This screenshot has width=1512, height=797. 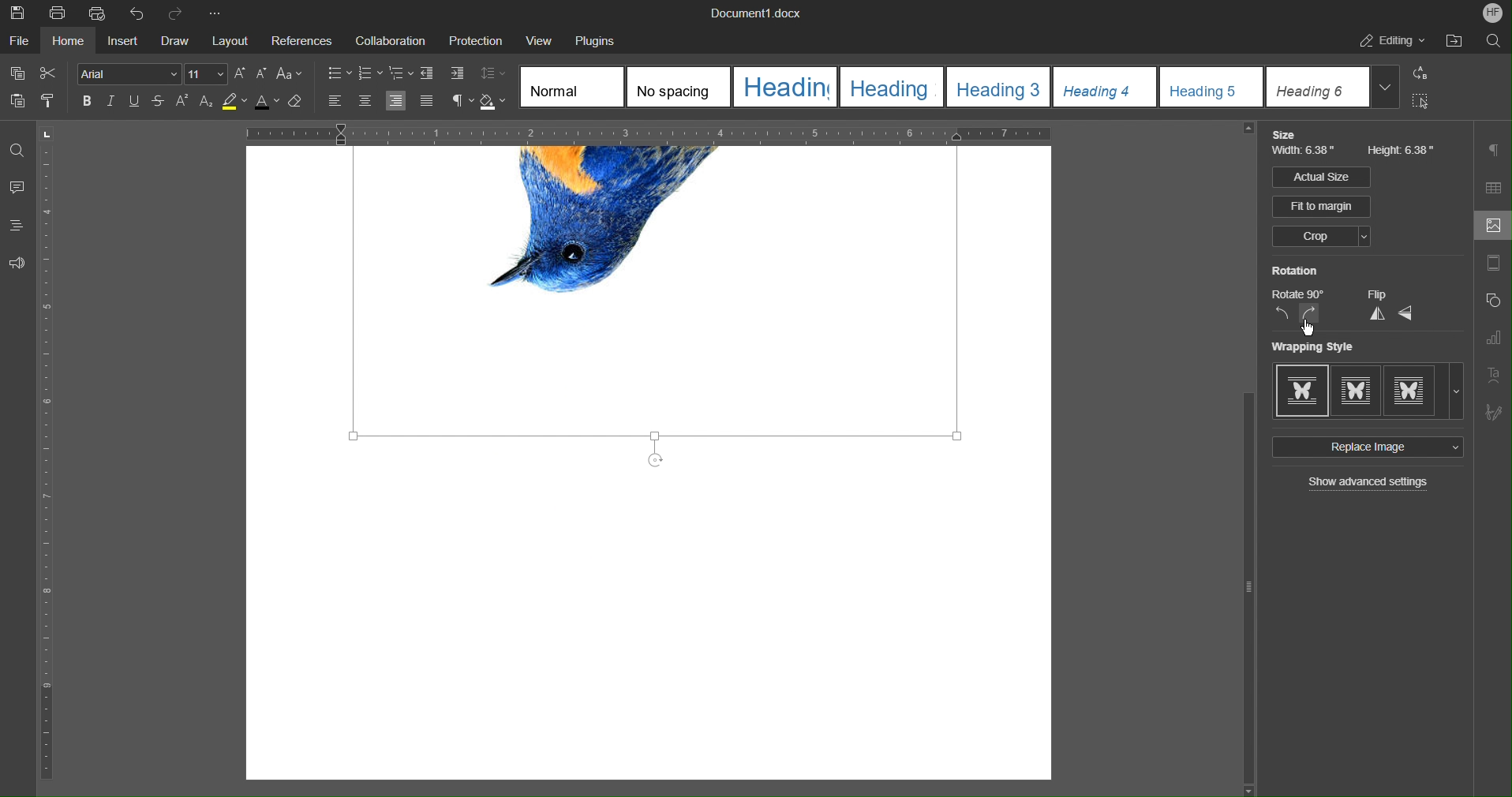 I want to click on Strikethrough, so click(x=159, y=103).